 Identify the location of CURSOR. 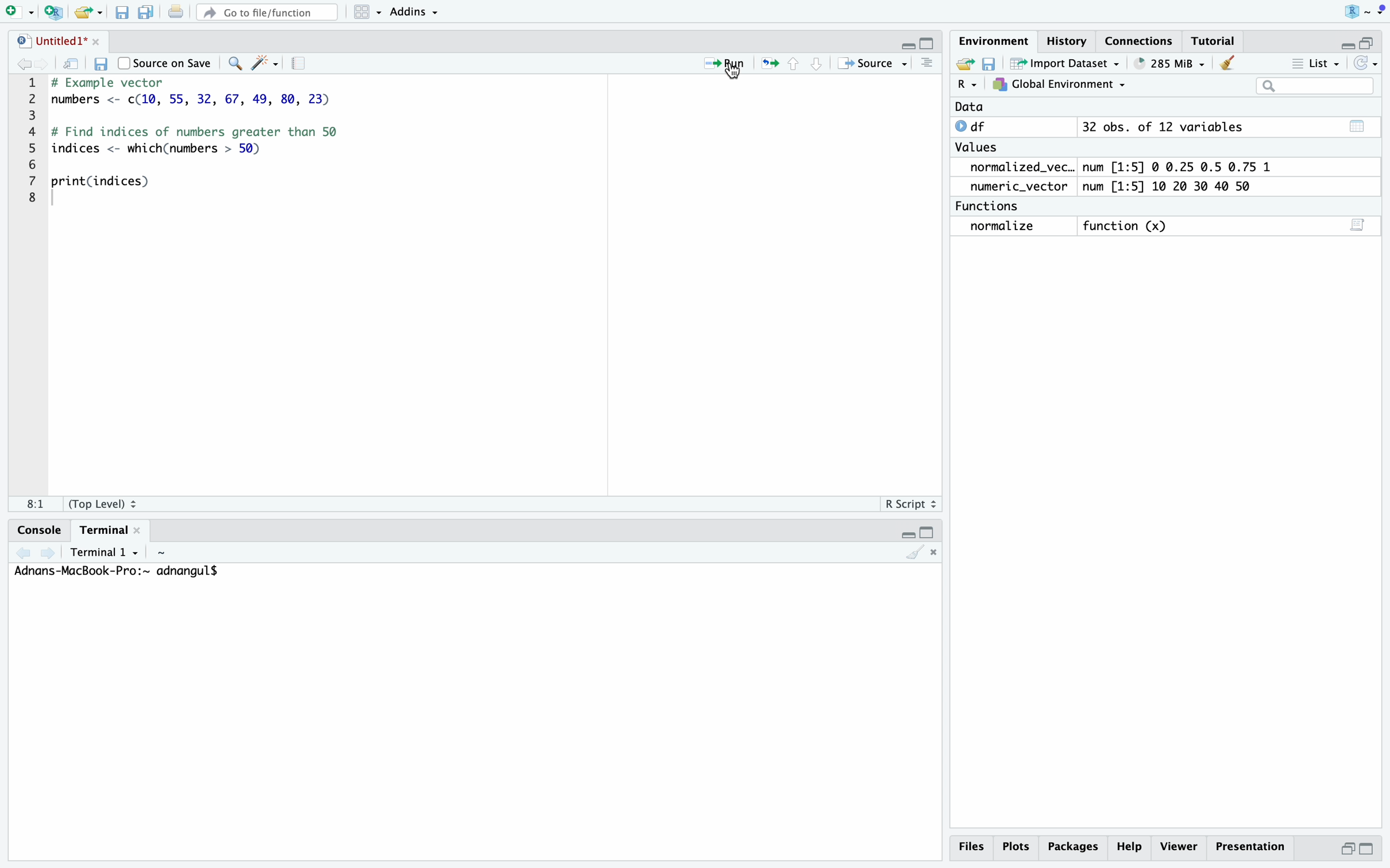
(736, 79).